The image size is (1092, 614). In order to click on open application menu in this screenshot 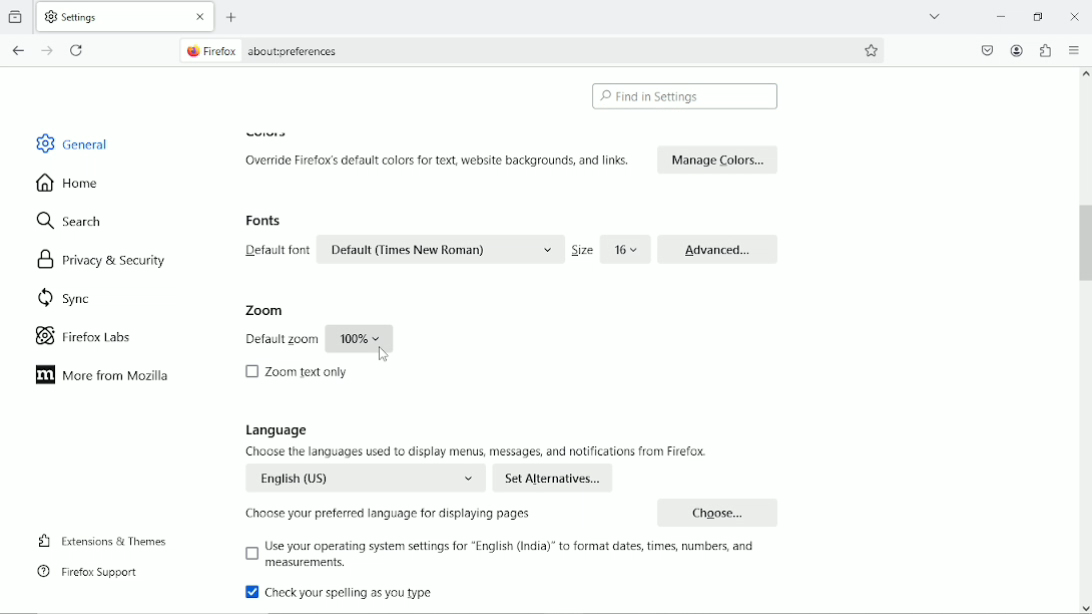, I will do `click(1074, 52)`.